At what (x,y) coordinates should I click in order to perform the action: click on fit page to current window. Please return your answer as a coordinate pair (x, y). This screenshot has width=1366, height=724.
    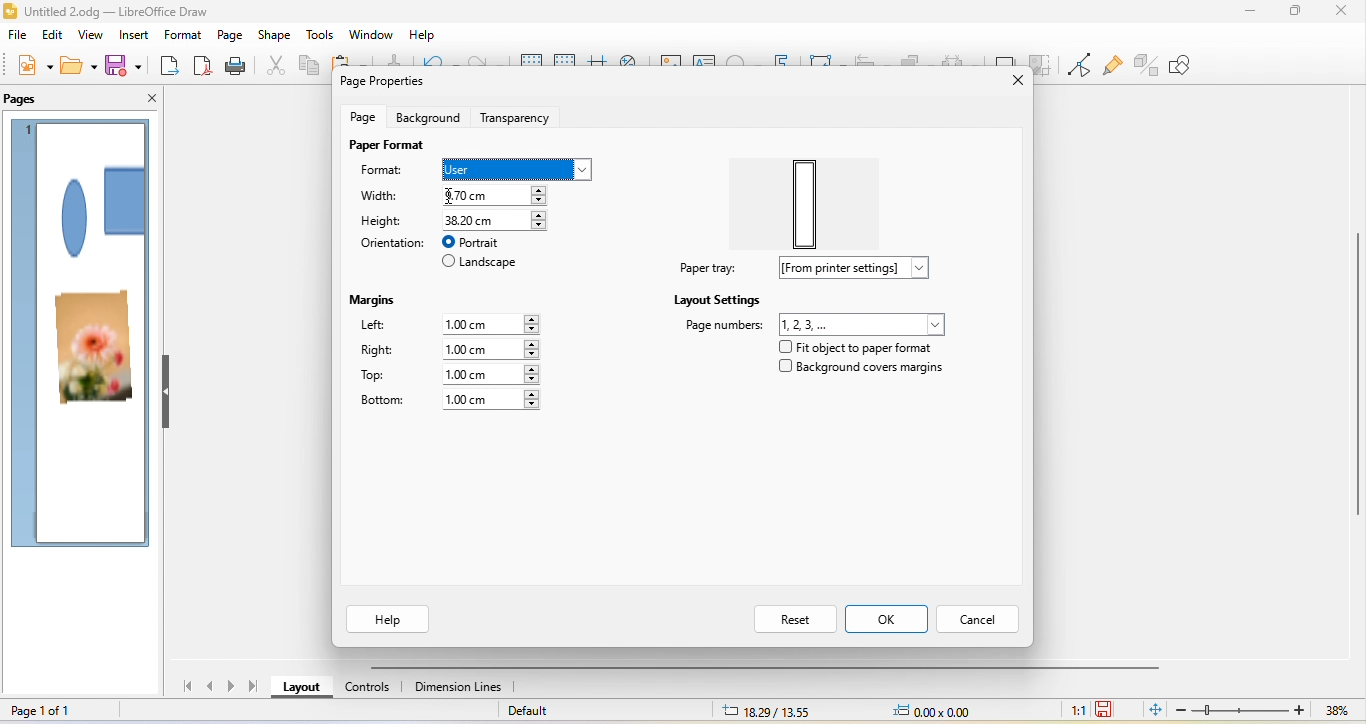
    Looking at the image, I should click on (1152, 711).